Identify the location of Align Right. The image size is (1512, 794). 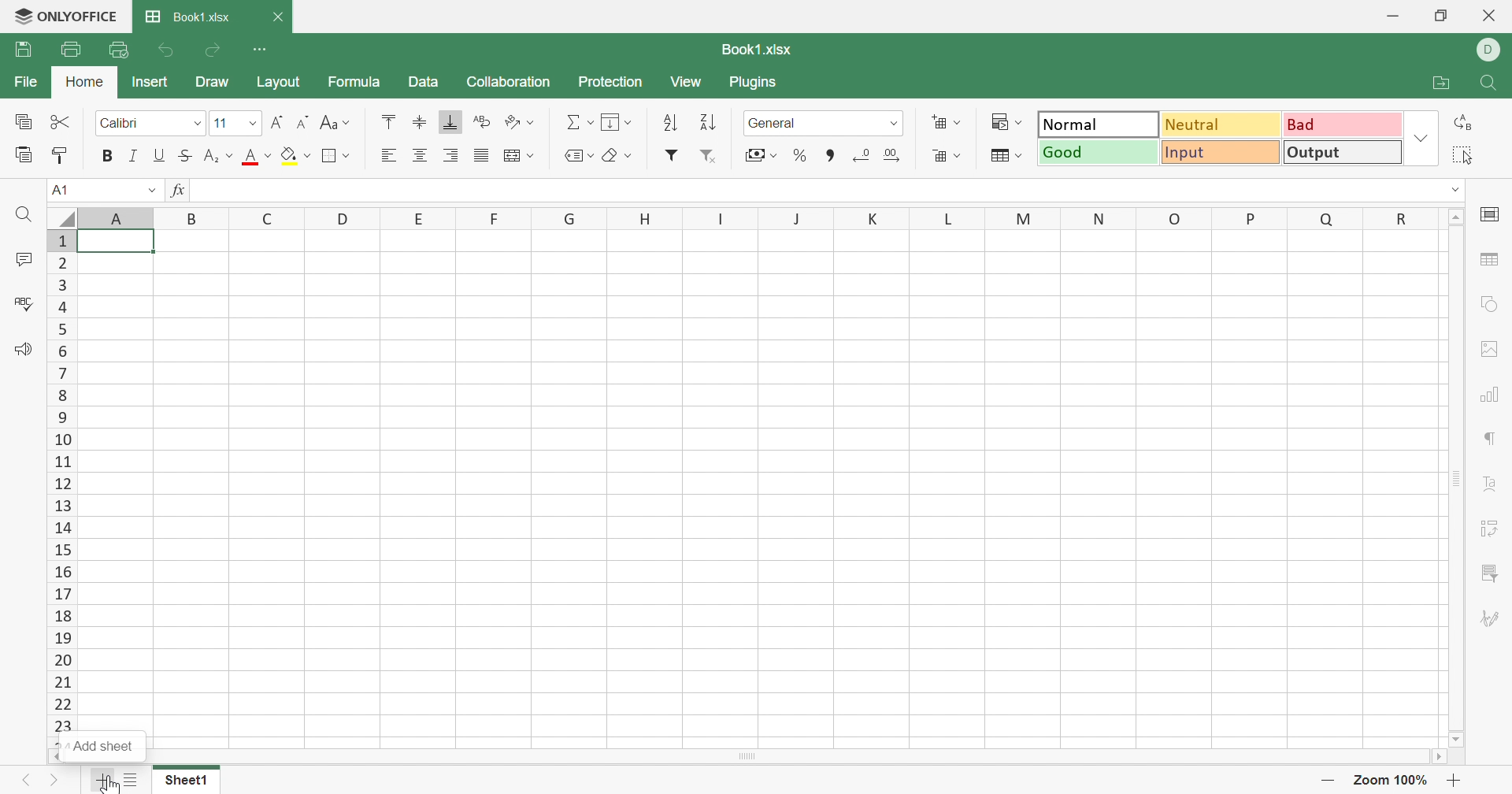
(450, 155).